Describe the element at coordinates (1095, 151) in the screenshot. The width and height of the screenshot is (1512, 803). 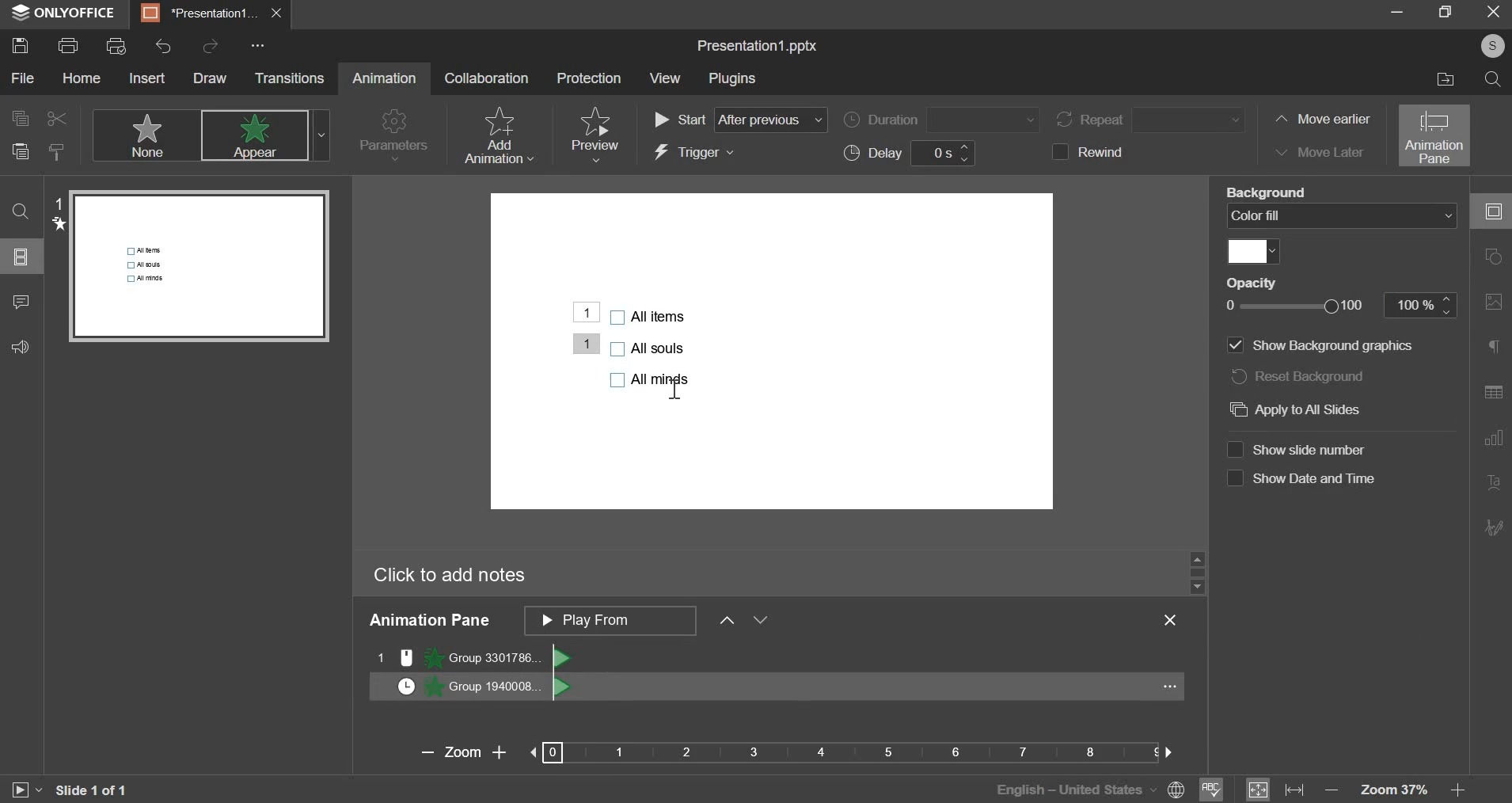
I see `rewind` at that location.